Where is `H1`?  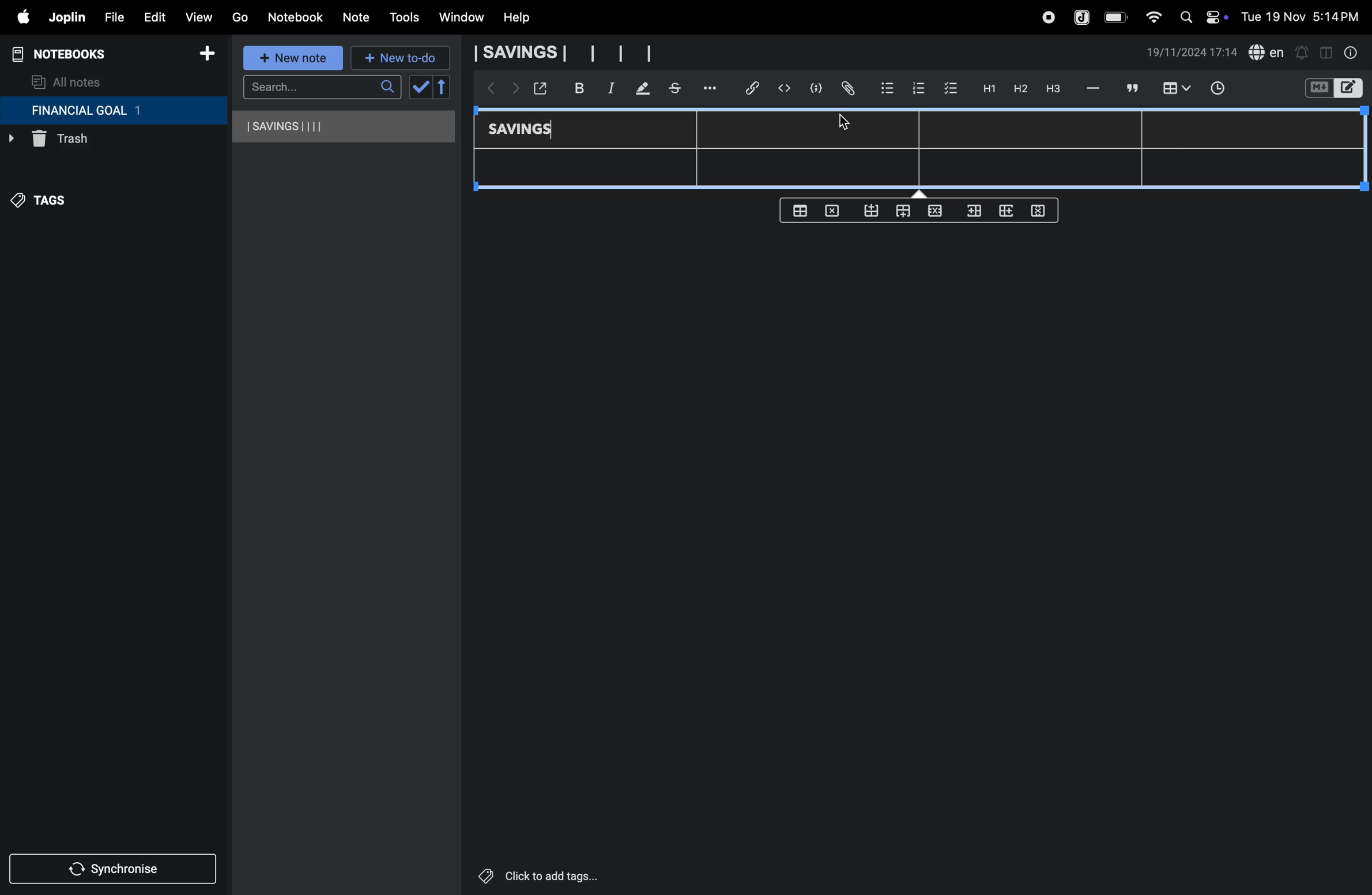
H1 is located at coordinates (987, 89).